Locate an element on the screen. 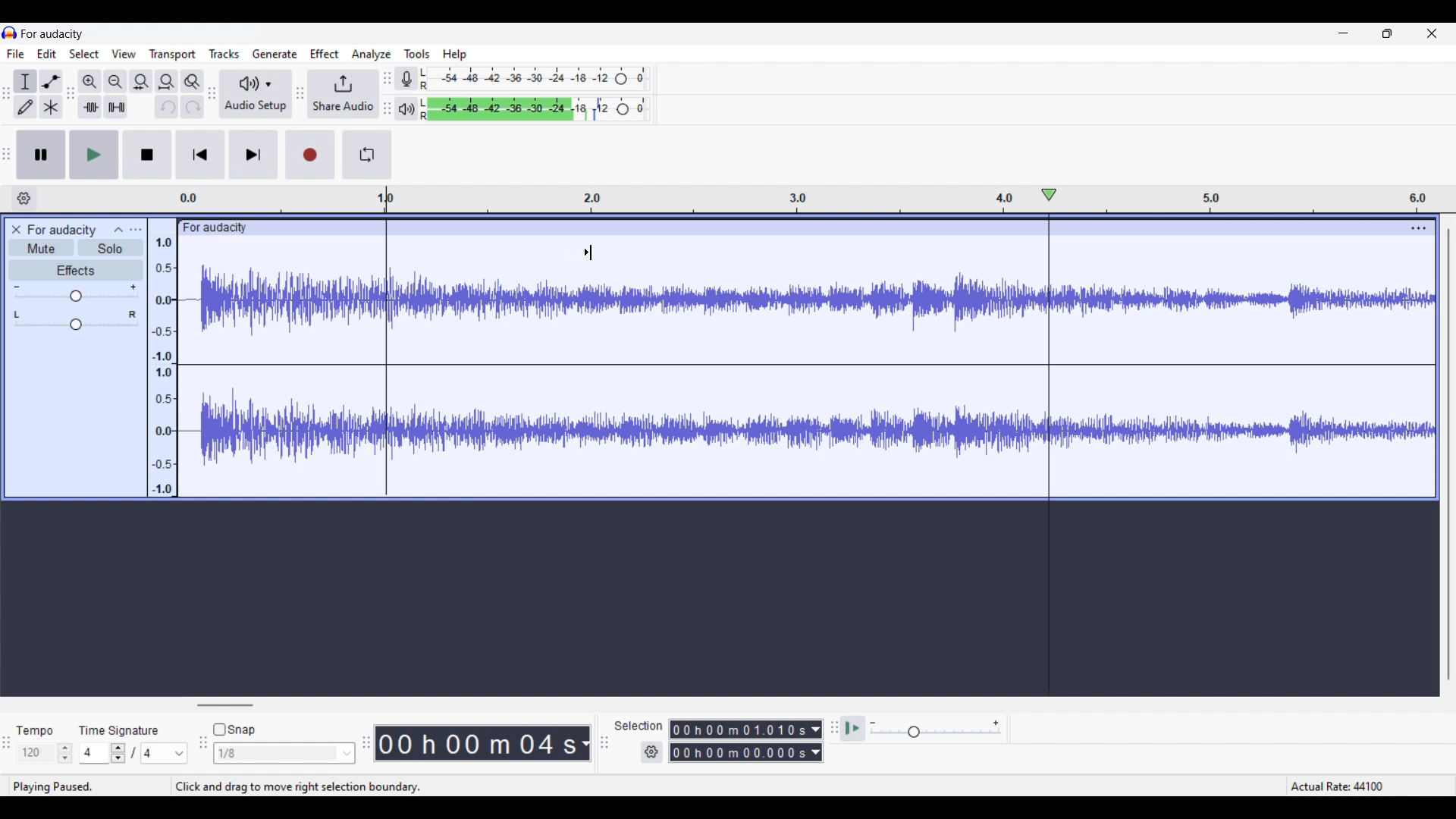 The image size is (1456, 819). Help menu is located at coordinates (454, 55).